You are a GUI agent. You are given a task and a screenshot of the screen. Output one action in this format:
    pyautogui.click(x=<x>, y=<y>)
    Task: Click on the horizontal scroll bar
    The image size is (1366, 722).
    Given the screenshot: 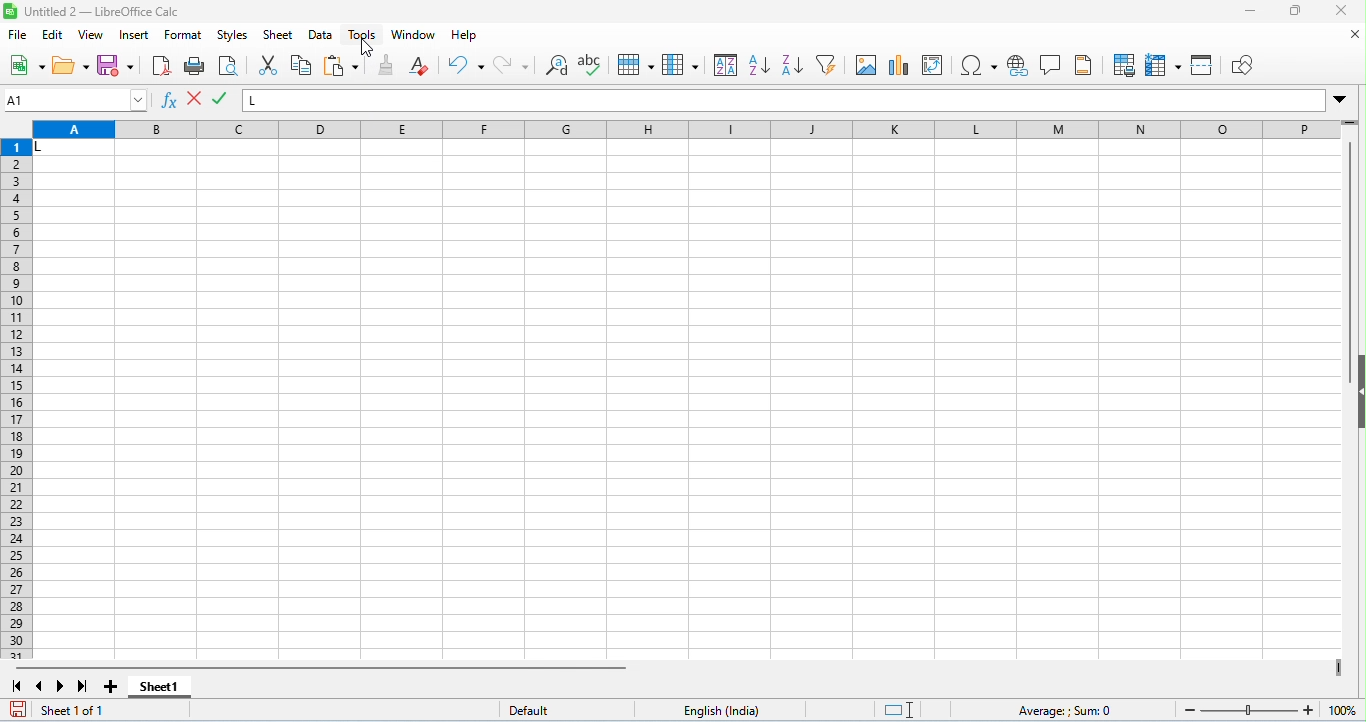 What is the action you would take?
    pyautogui.click(x=326, y=668)
    